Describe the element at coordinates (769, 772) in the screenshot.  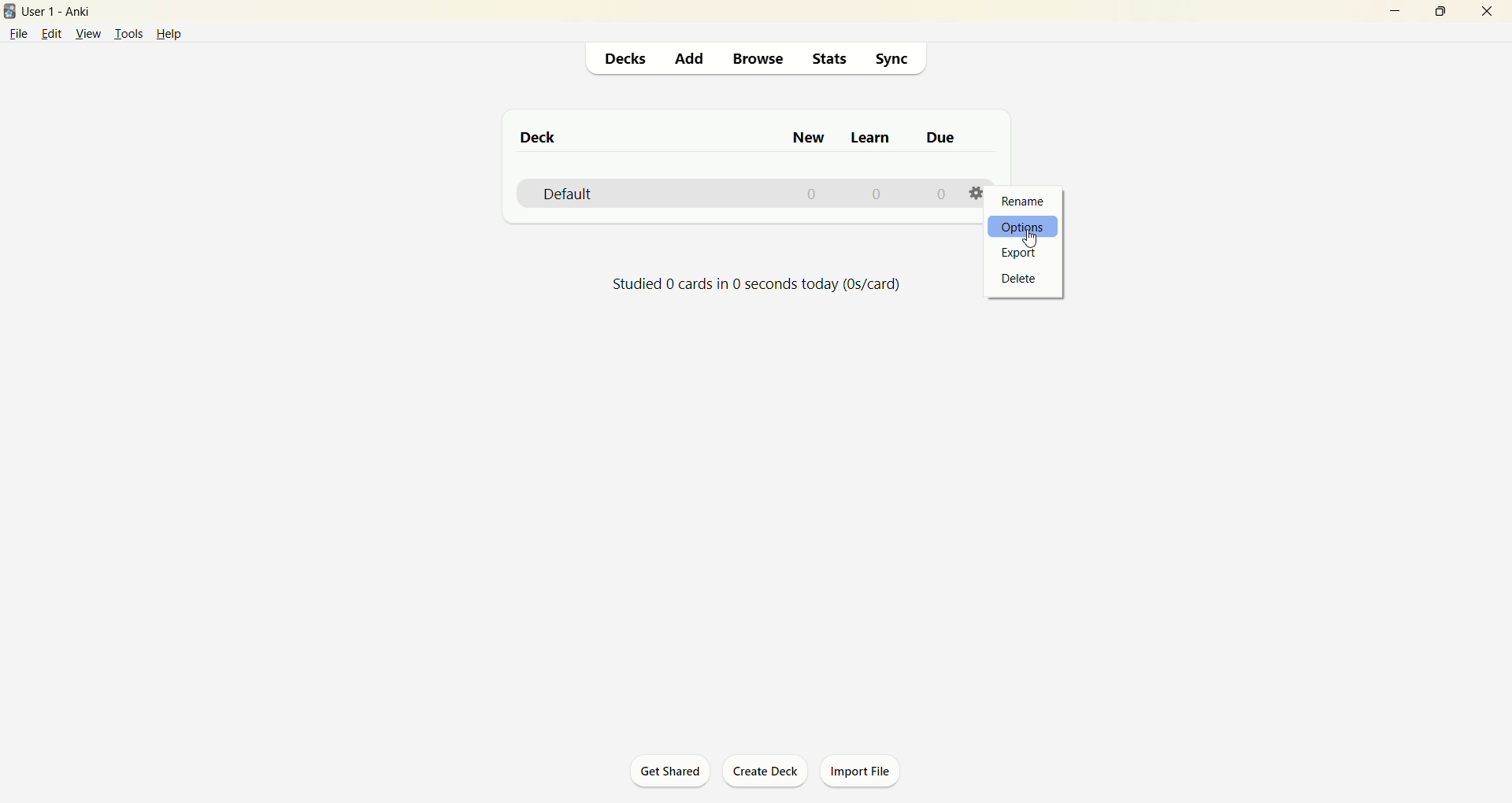
I see `create deck` at that location.